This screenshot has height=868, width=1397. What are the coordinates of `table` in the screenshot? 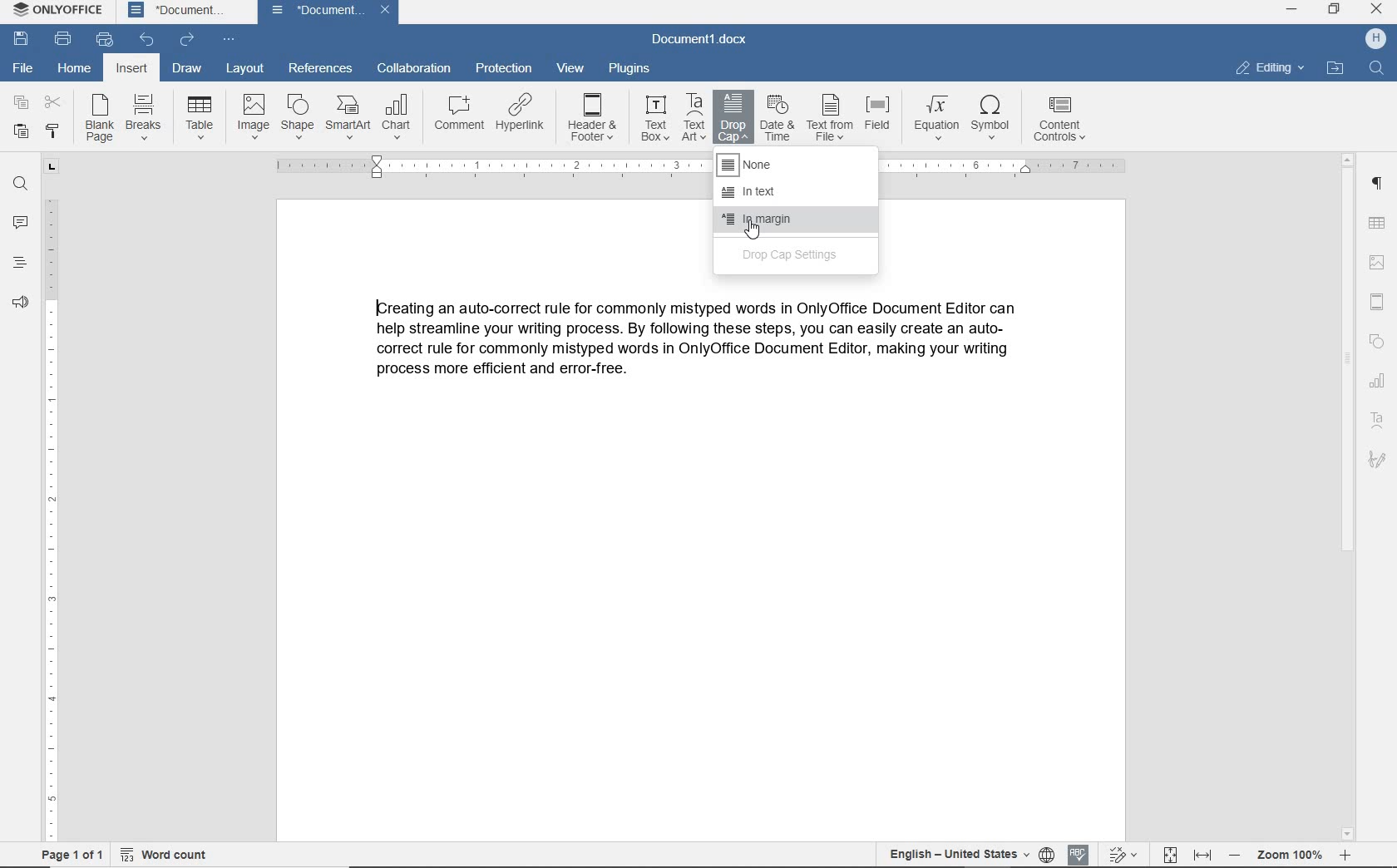 It's located at (1379, 223).